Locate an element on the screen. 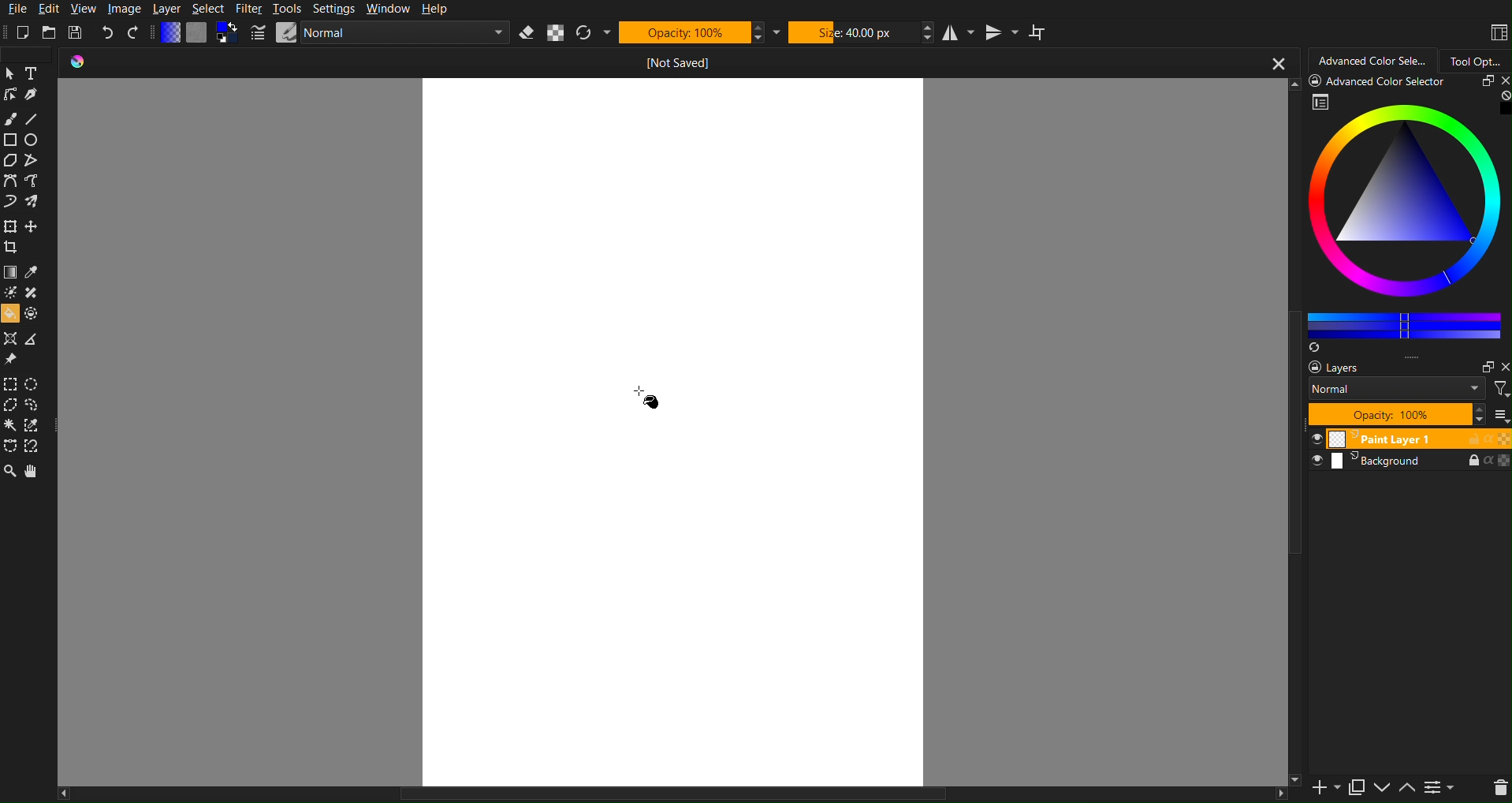  Size: 40.00 px is located at coordinates (862, 32).